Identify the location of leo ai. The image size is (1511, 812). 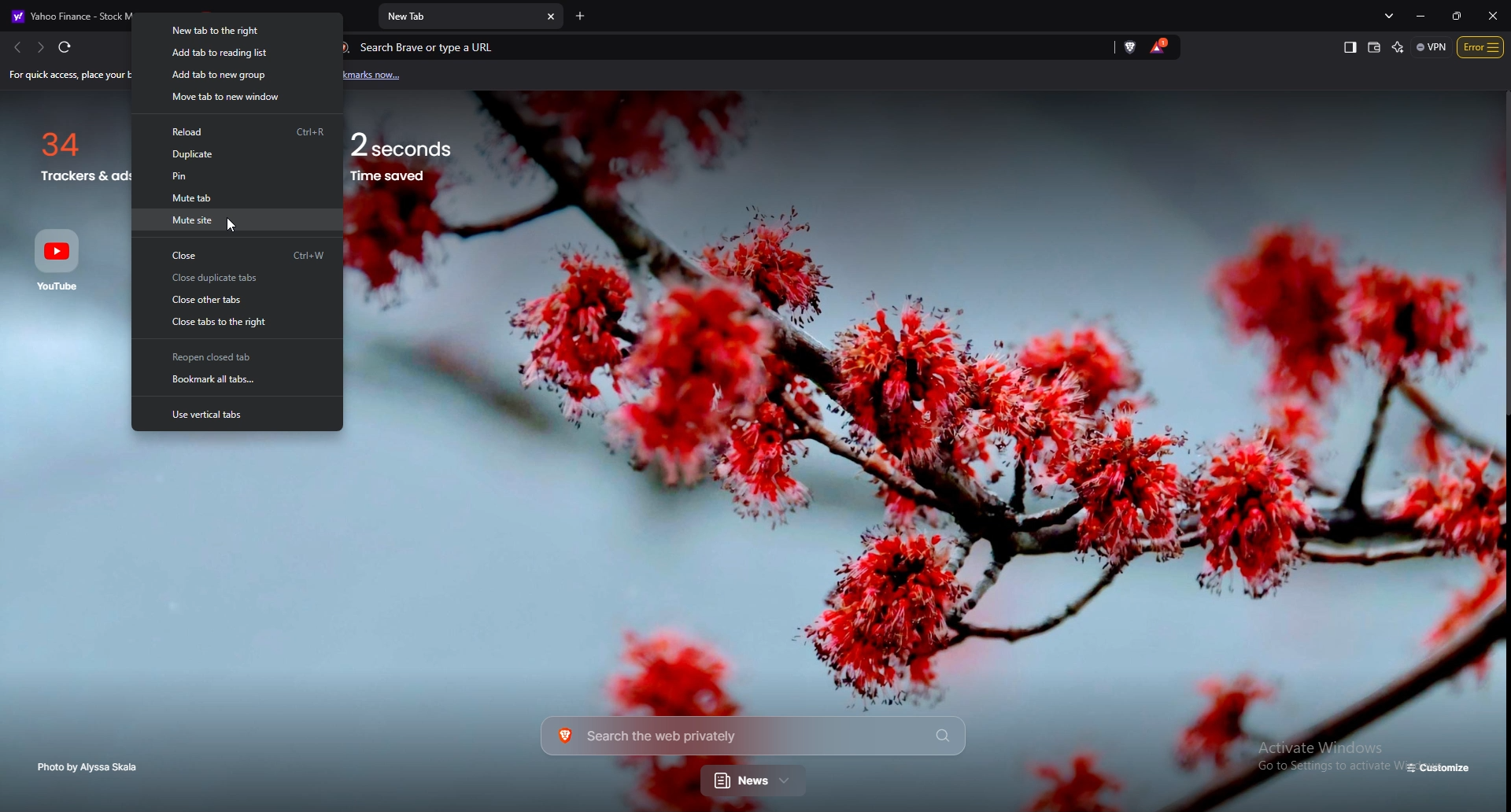
(1398, 47).